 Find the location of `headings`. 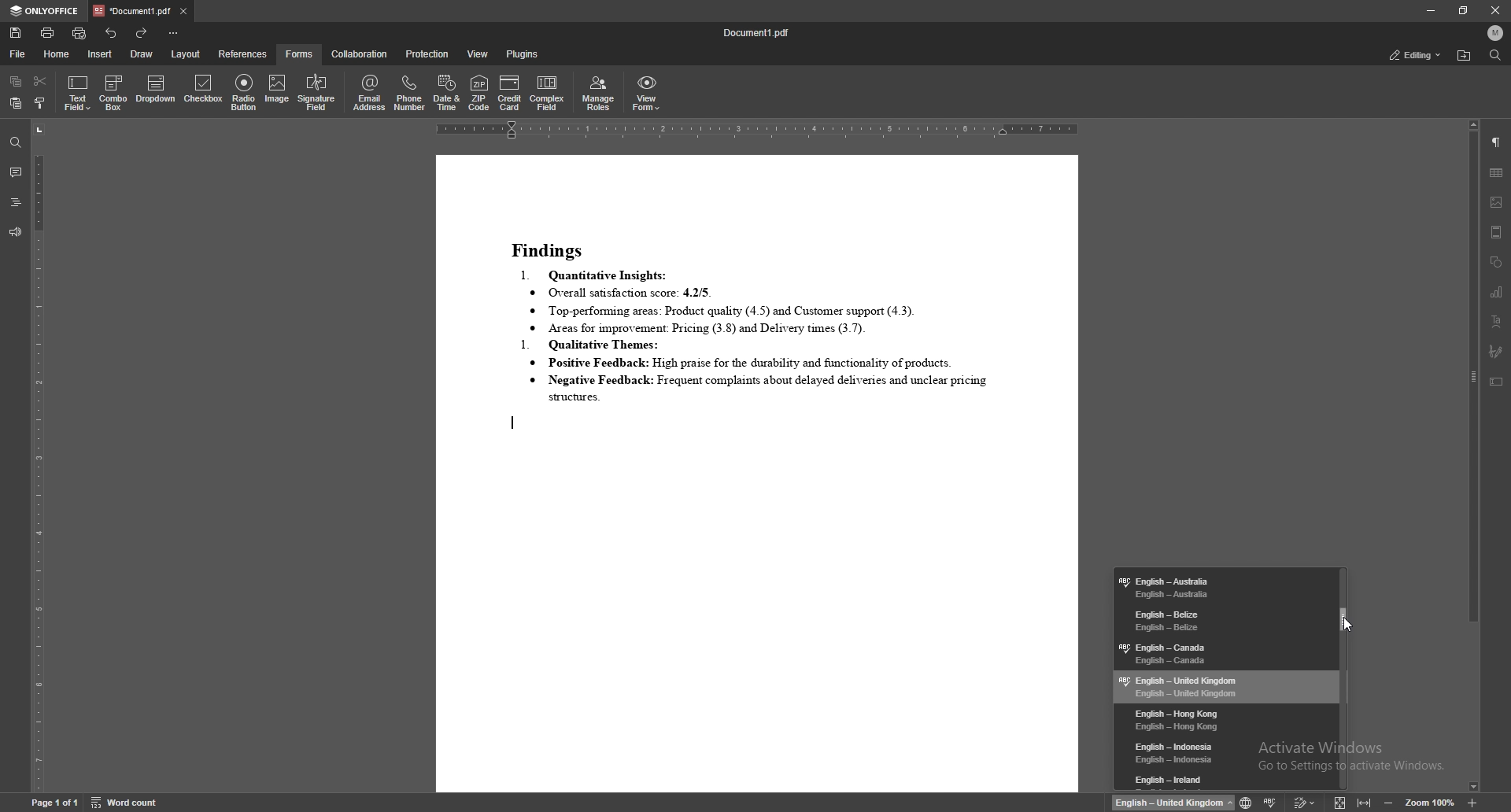

headings is located at coordinates (15, 202).